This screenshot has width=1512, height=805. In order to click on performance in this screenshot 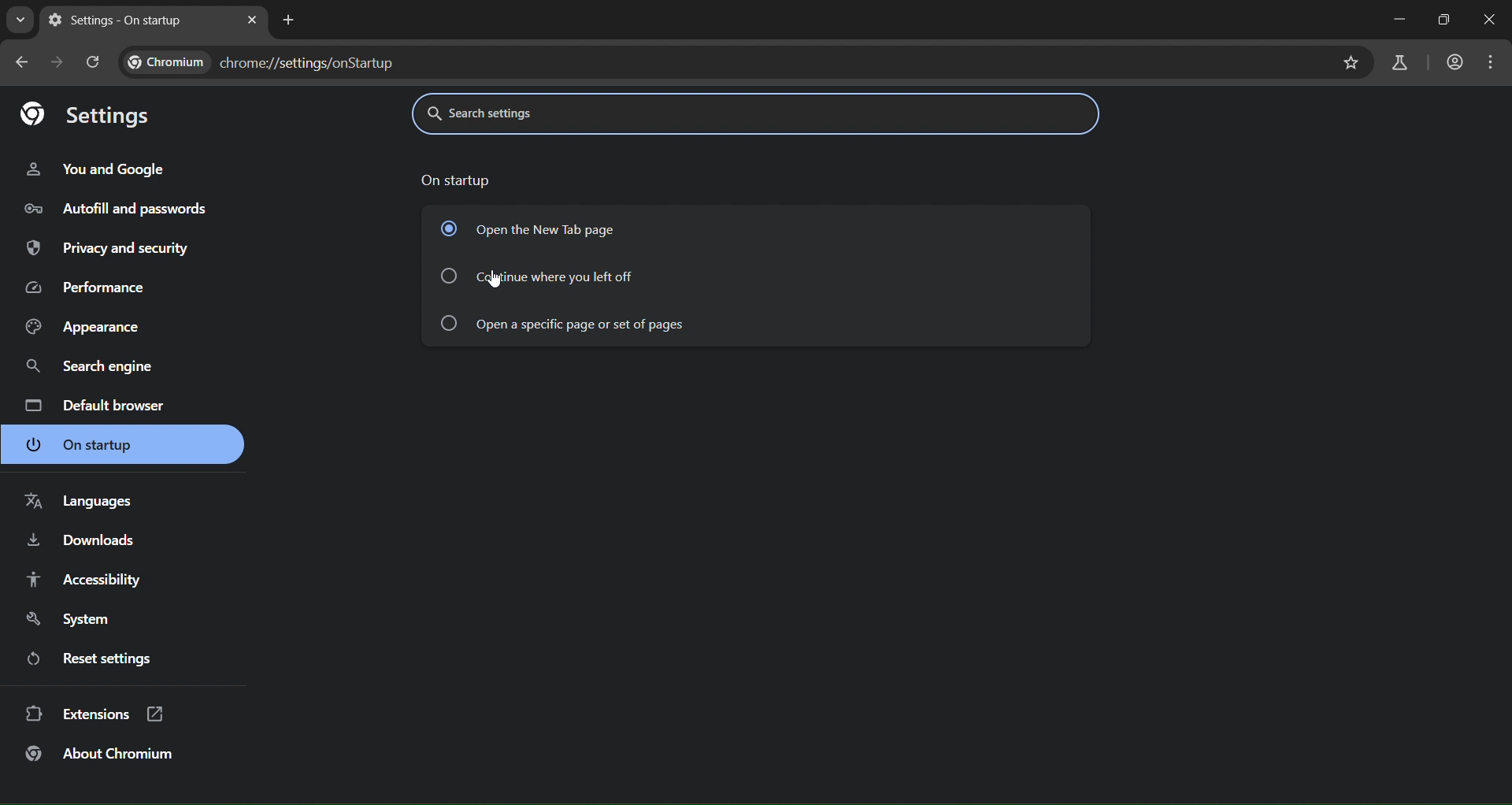, I will do `click(86, 289)`.